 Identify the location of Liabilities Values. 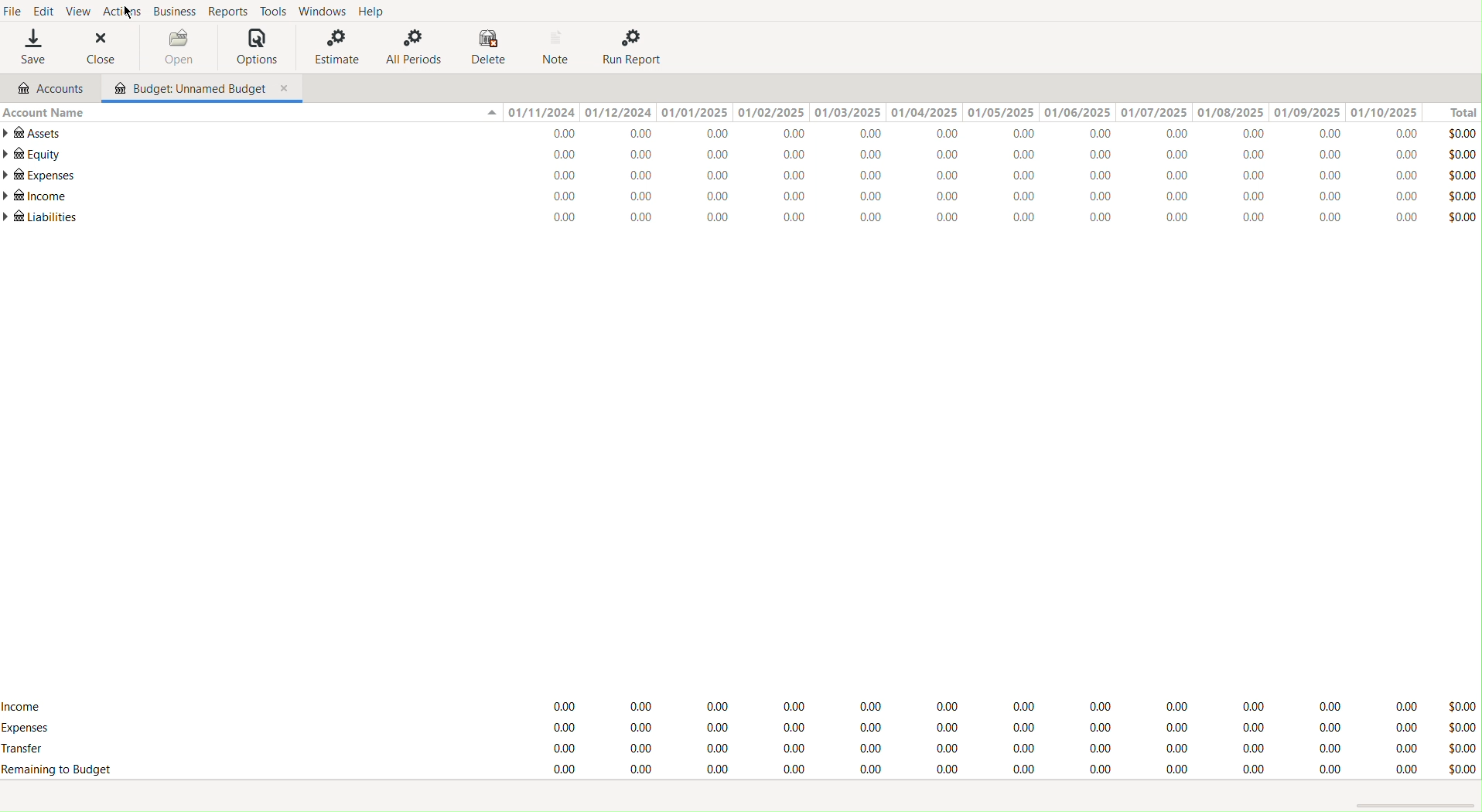
(982, 218).